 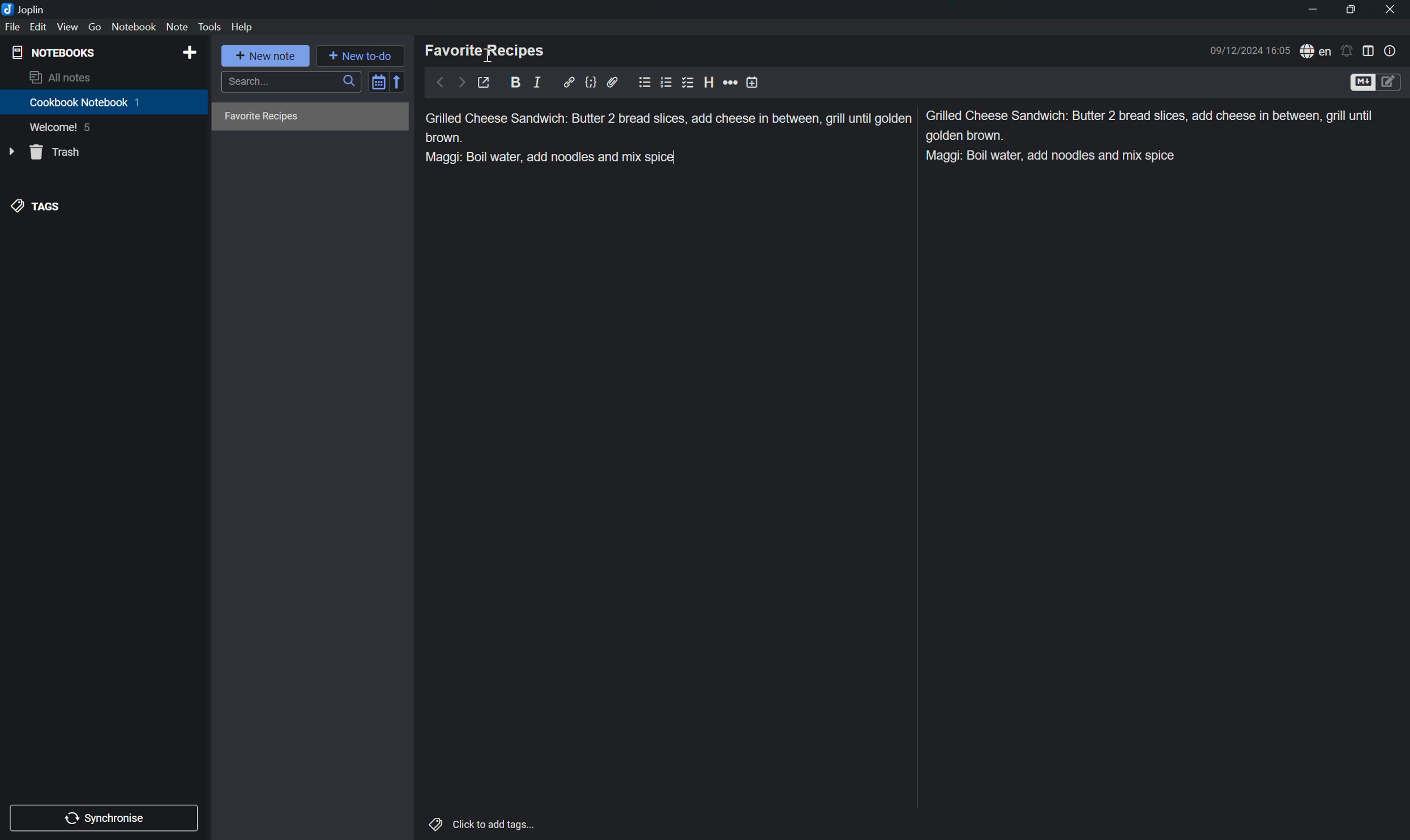 I want to click on Insert time, so click(x=752, y=82).